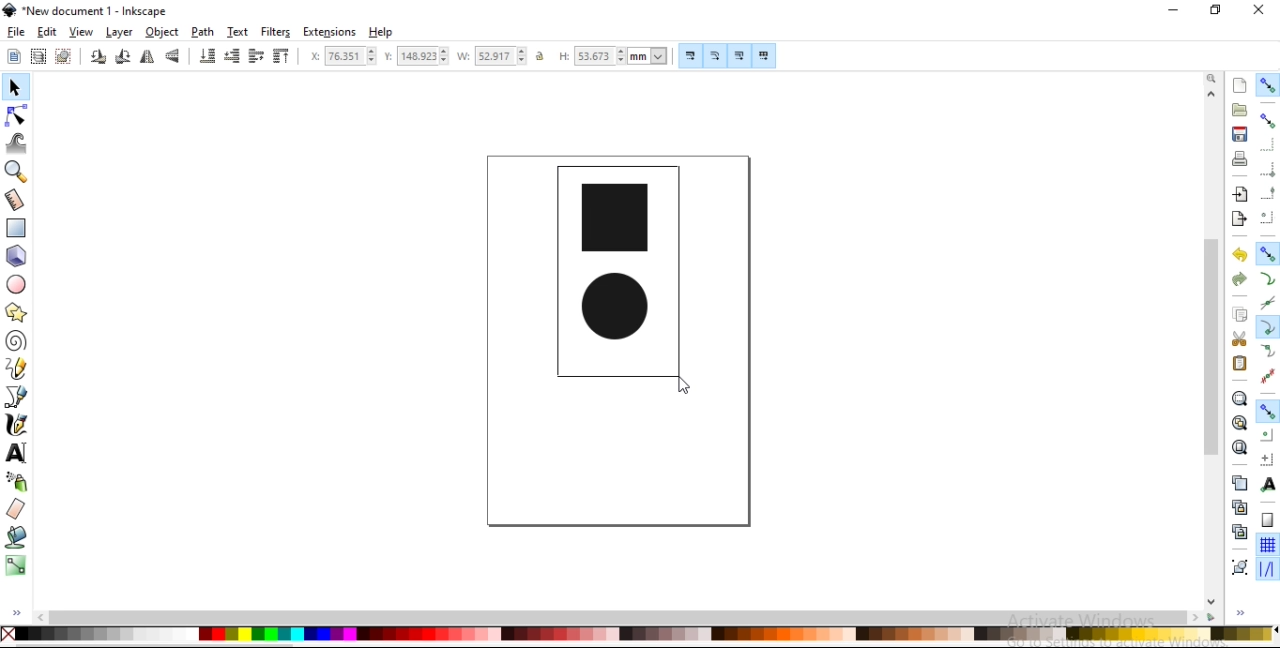  Describe the element at coordinates (147, 58) in the screenshot. I see `flip horizontal` at that location.